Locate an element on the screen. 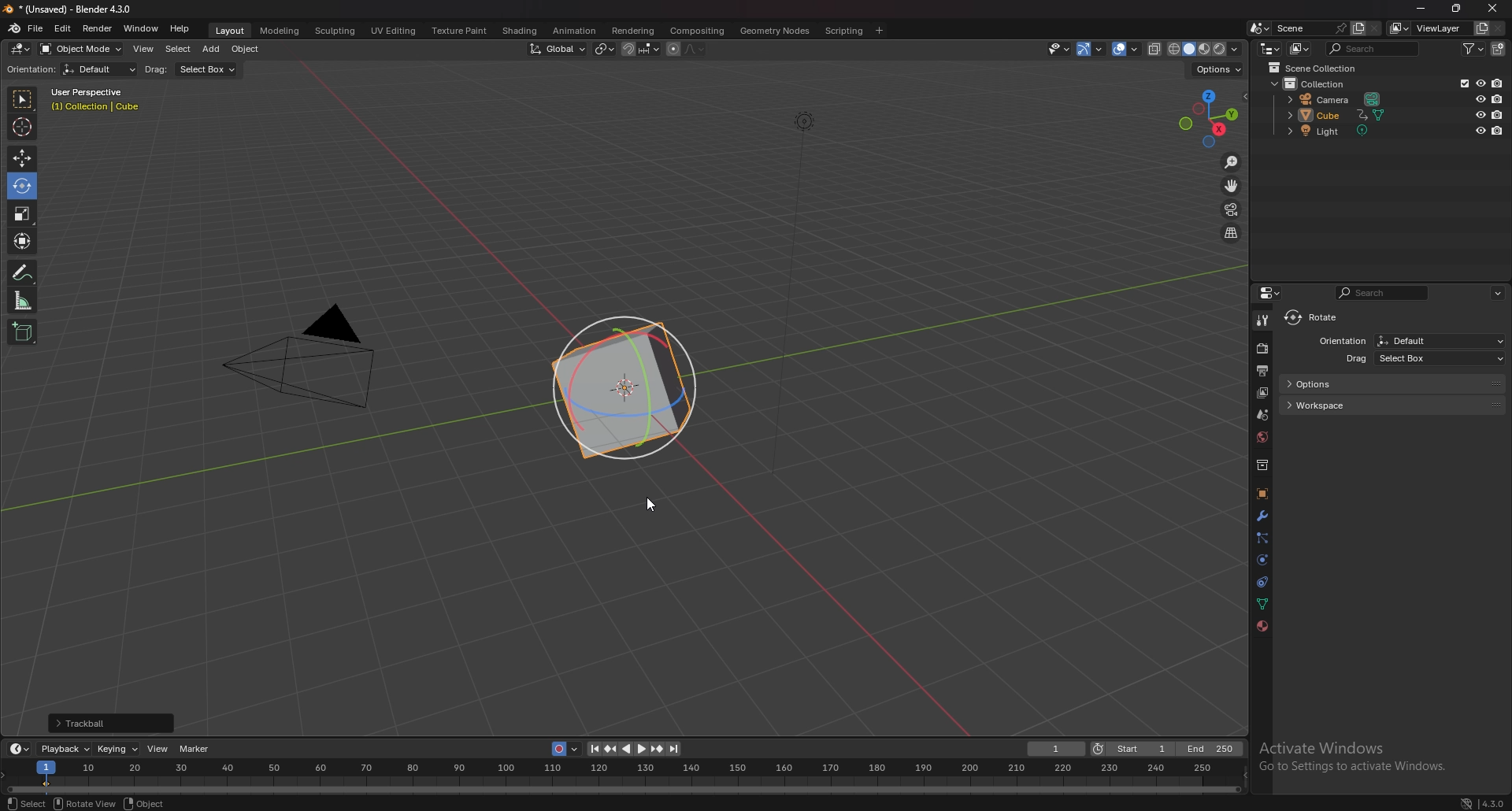  hide in view port is located at coordinates (1480, 83).